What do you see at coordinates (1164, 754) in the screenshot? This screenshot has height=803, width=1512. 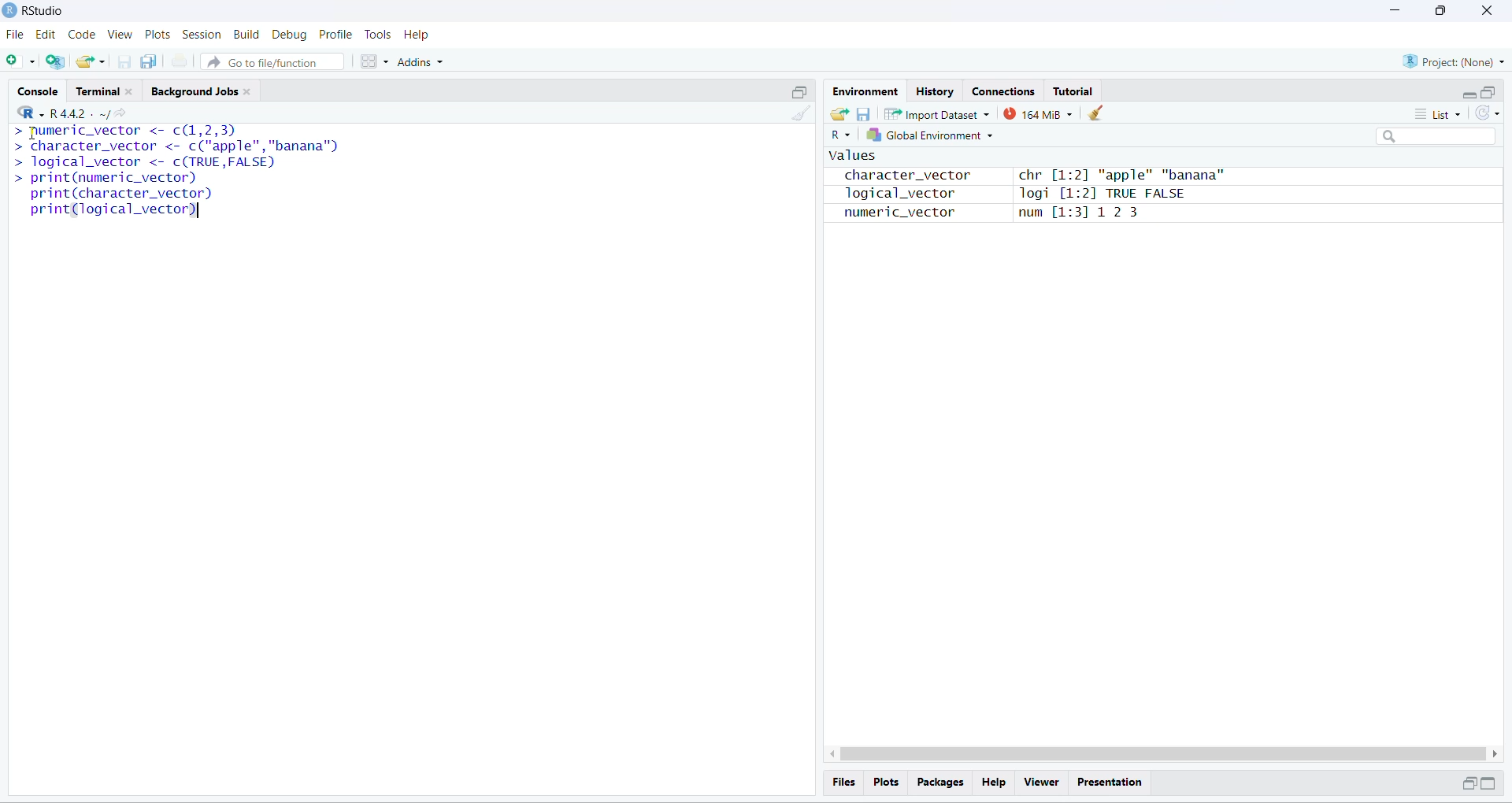 I see `scrollbar` at bounding box center [1164, 754].